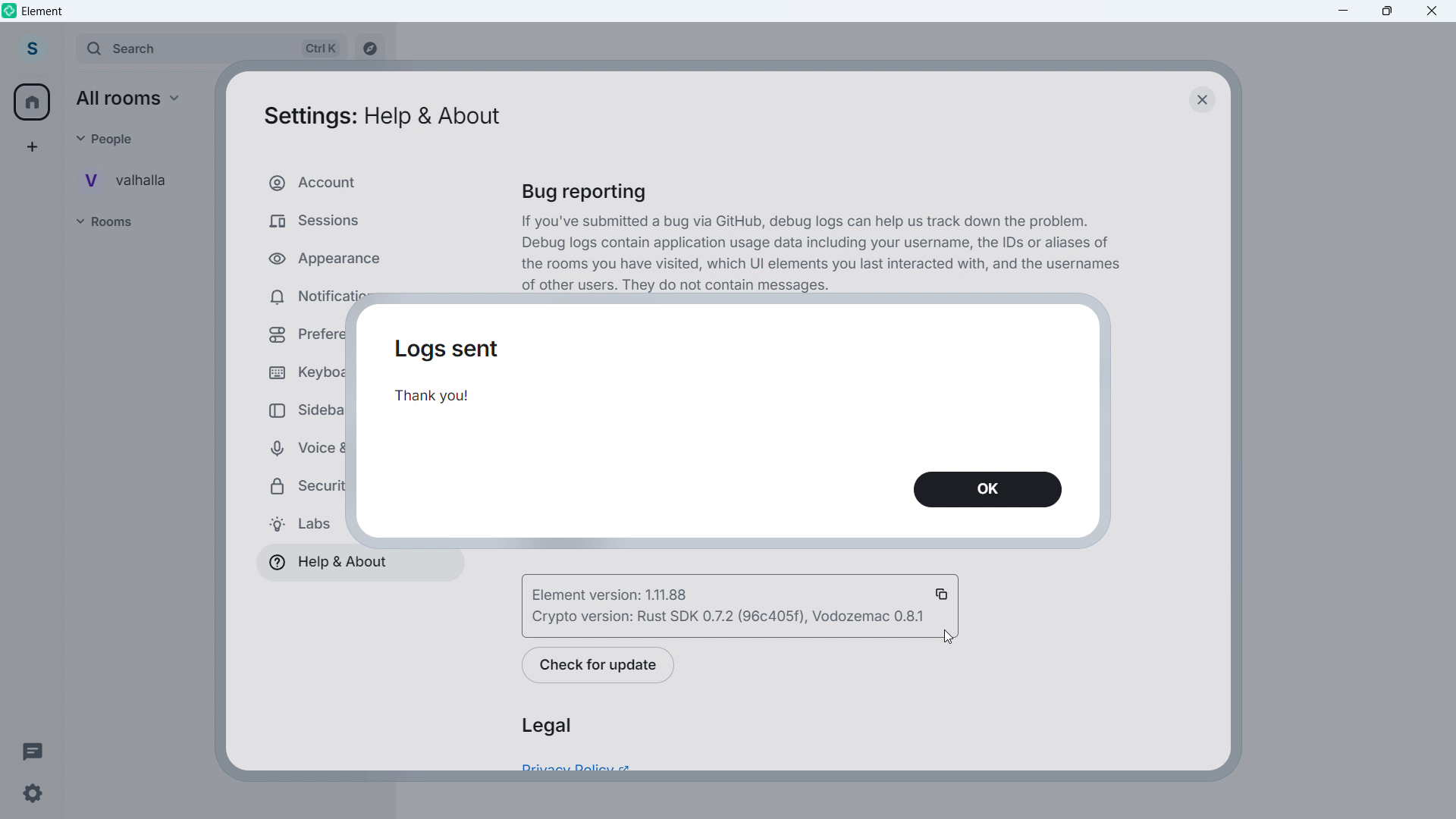 This screenshot has width=1456, height=819. I want to click on All Rooms, so click(134, 99).